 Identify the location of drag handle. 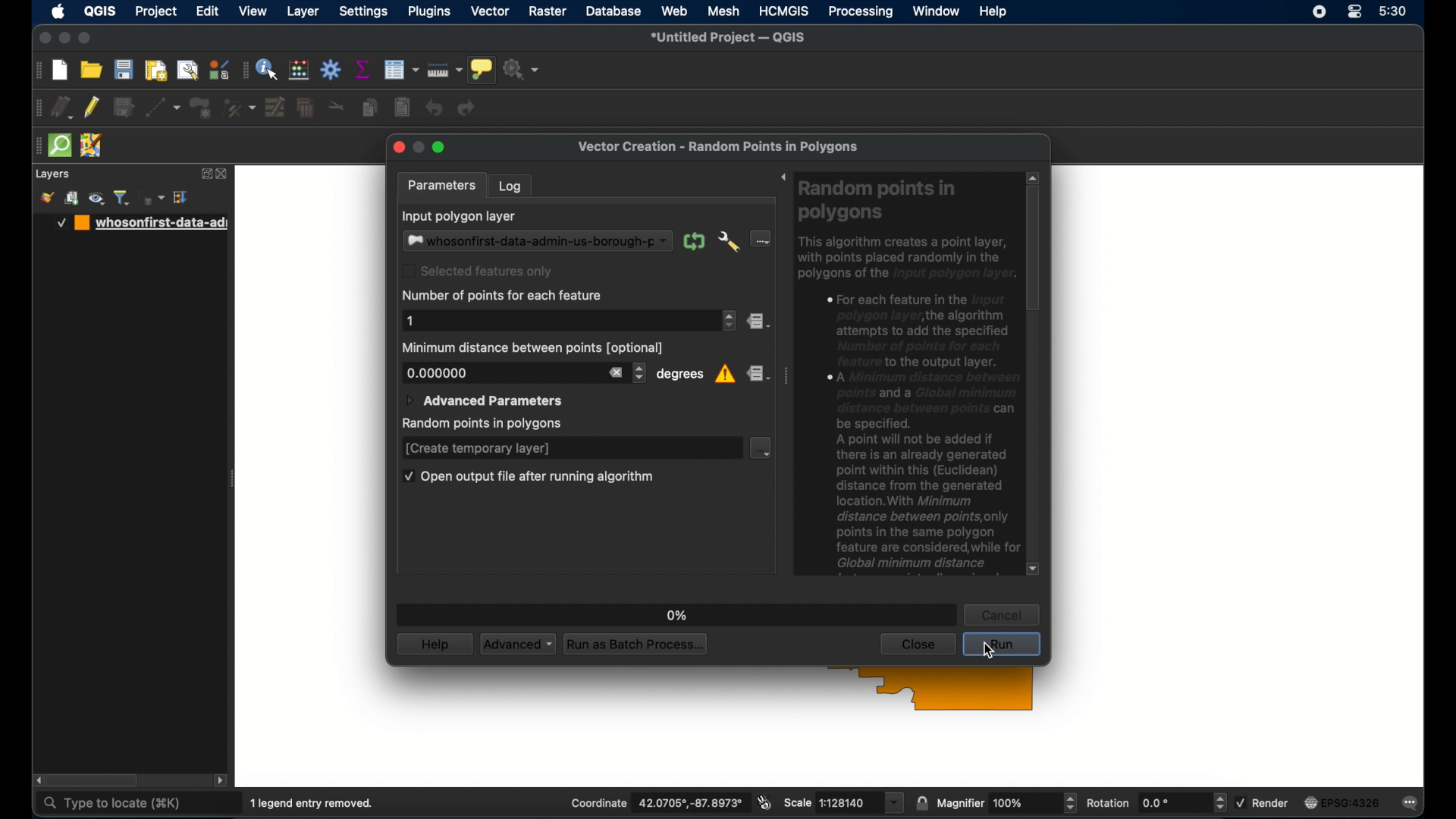
(243, 70).